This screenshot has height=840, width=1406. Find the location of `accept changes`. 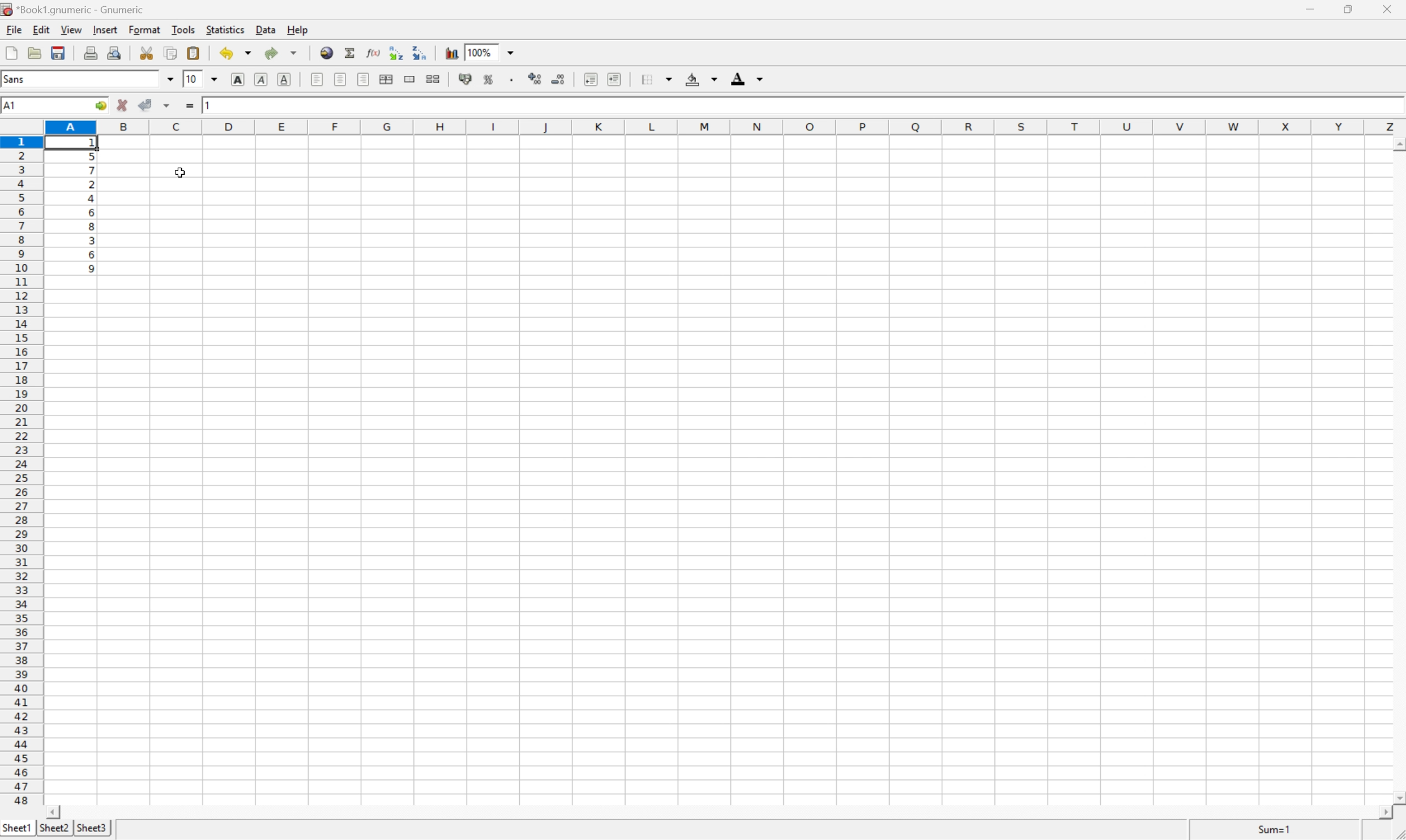

accept changes is located at coordinates (145, 105).